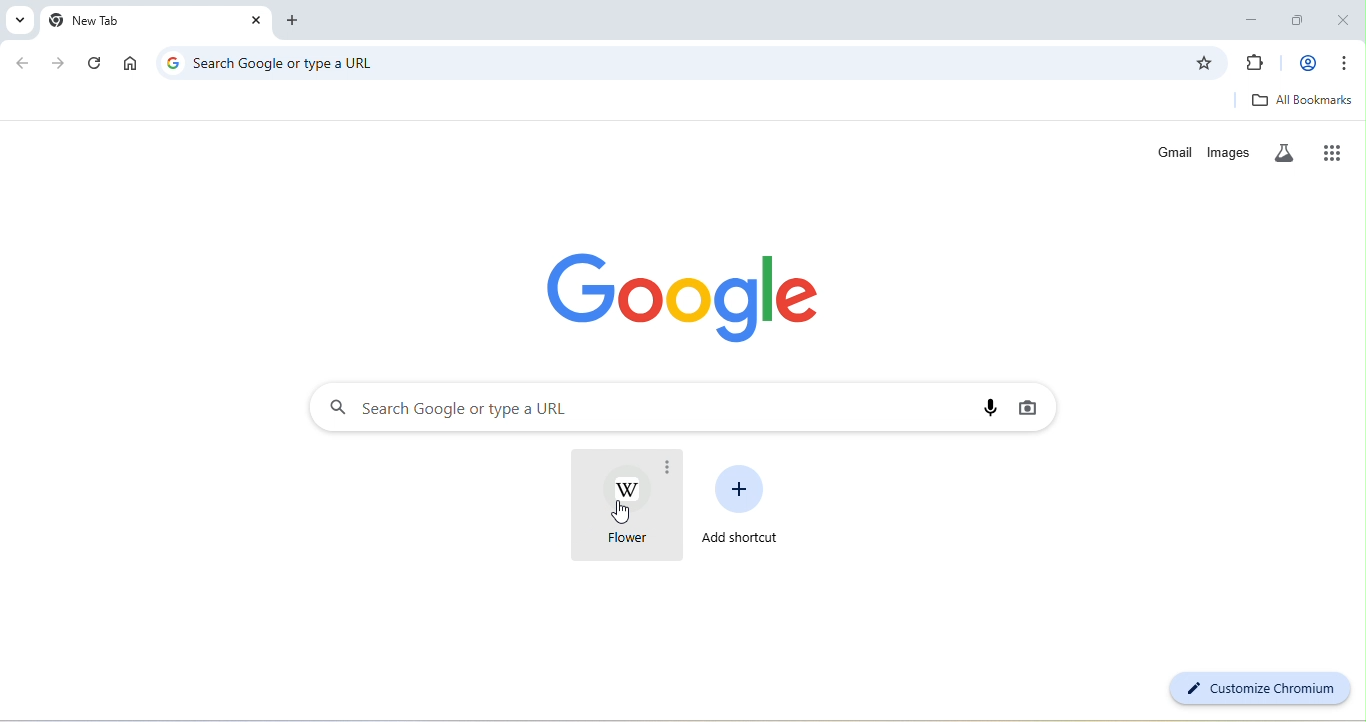 This screenshot has width=1366, height=722. Describe the element at coordinates (1302, 17) in the screenshot. I see `maximize` at that location.